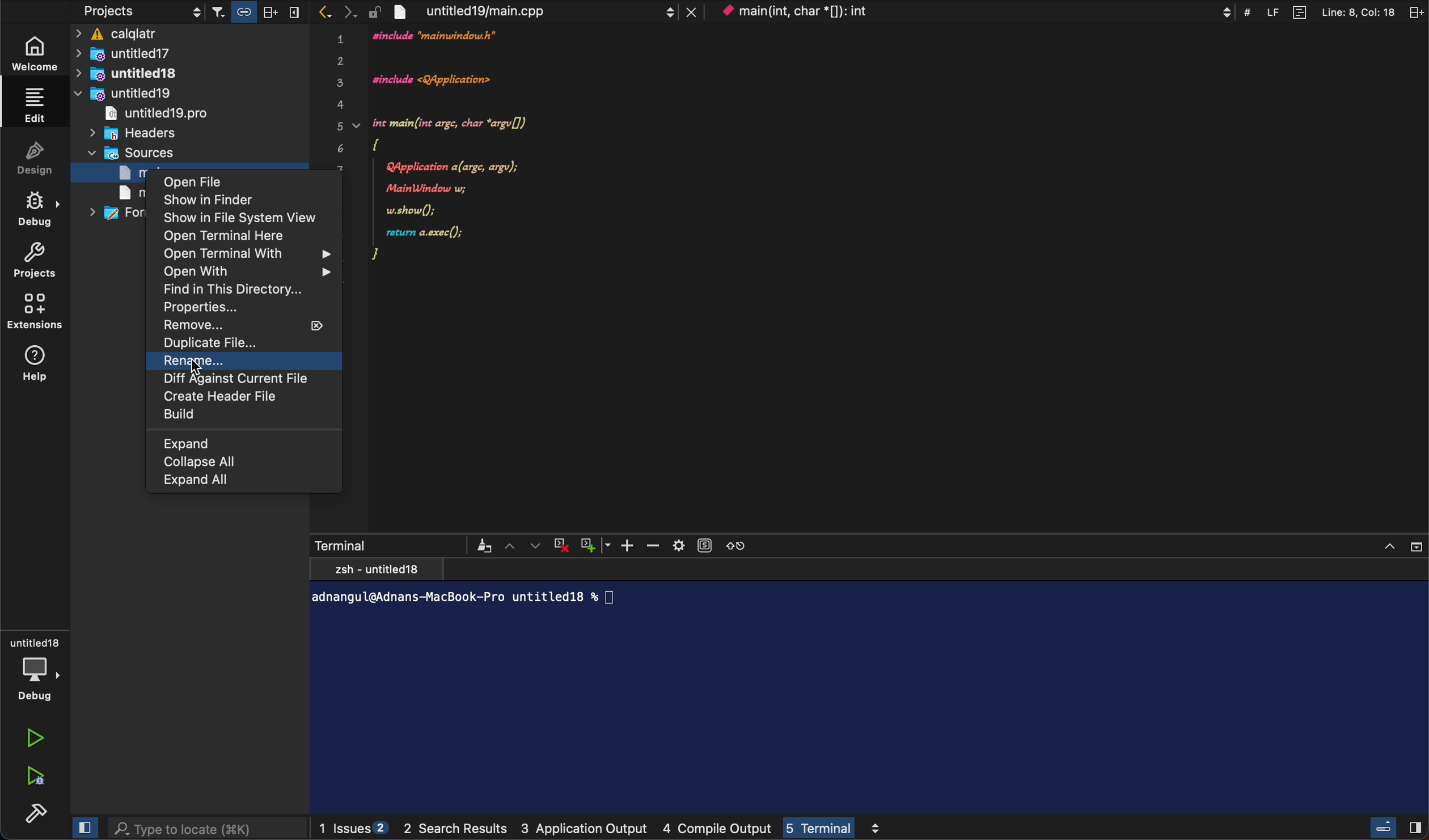 This screenshot has width=1429, height=840. Describe the element at coordinates (341, 544) in the screenshot. I see `Terminal ` at that location.